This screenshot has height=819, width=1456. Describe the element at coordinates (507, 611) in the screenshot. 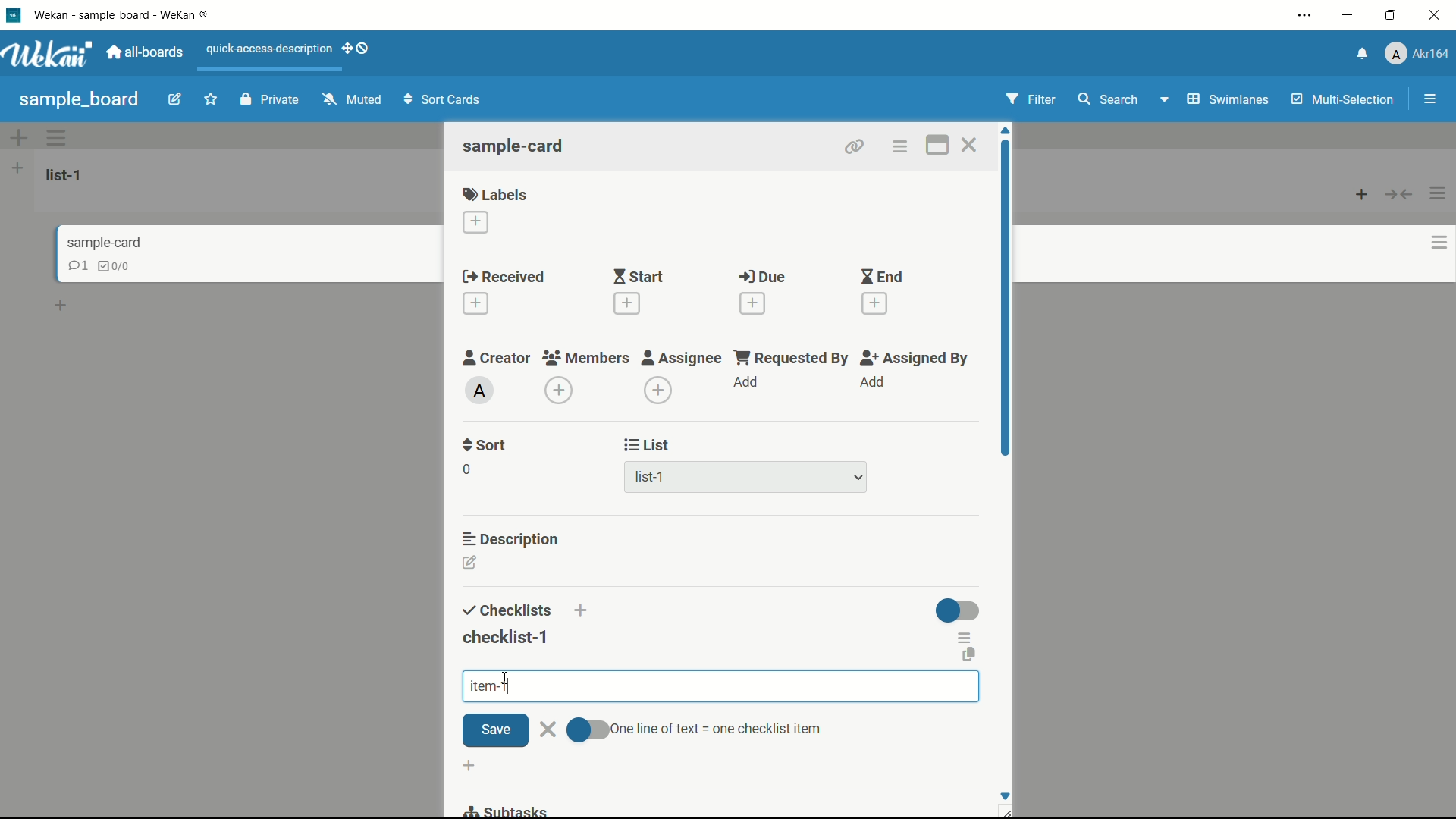

I see `checklists` at that location.